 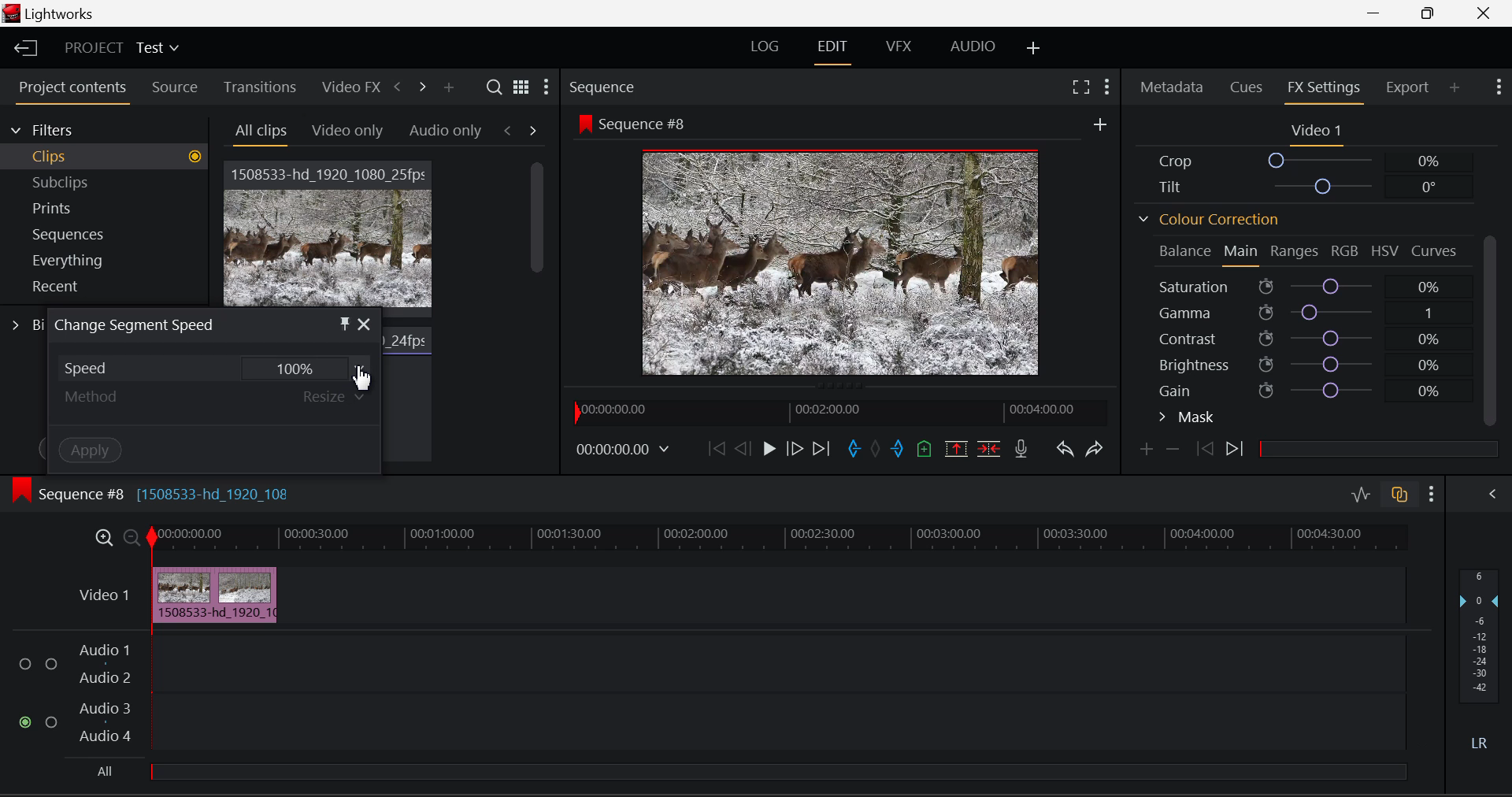 What do you see at coordinates (131, 537) in the screenshot?
I see `Minimize Timeline` at bounding box center [131, 537].